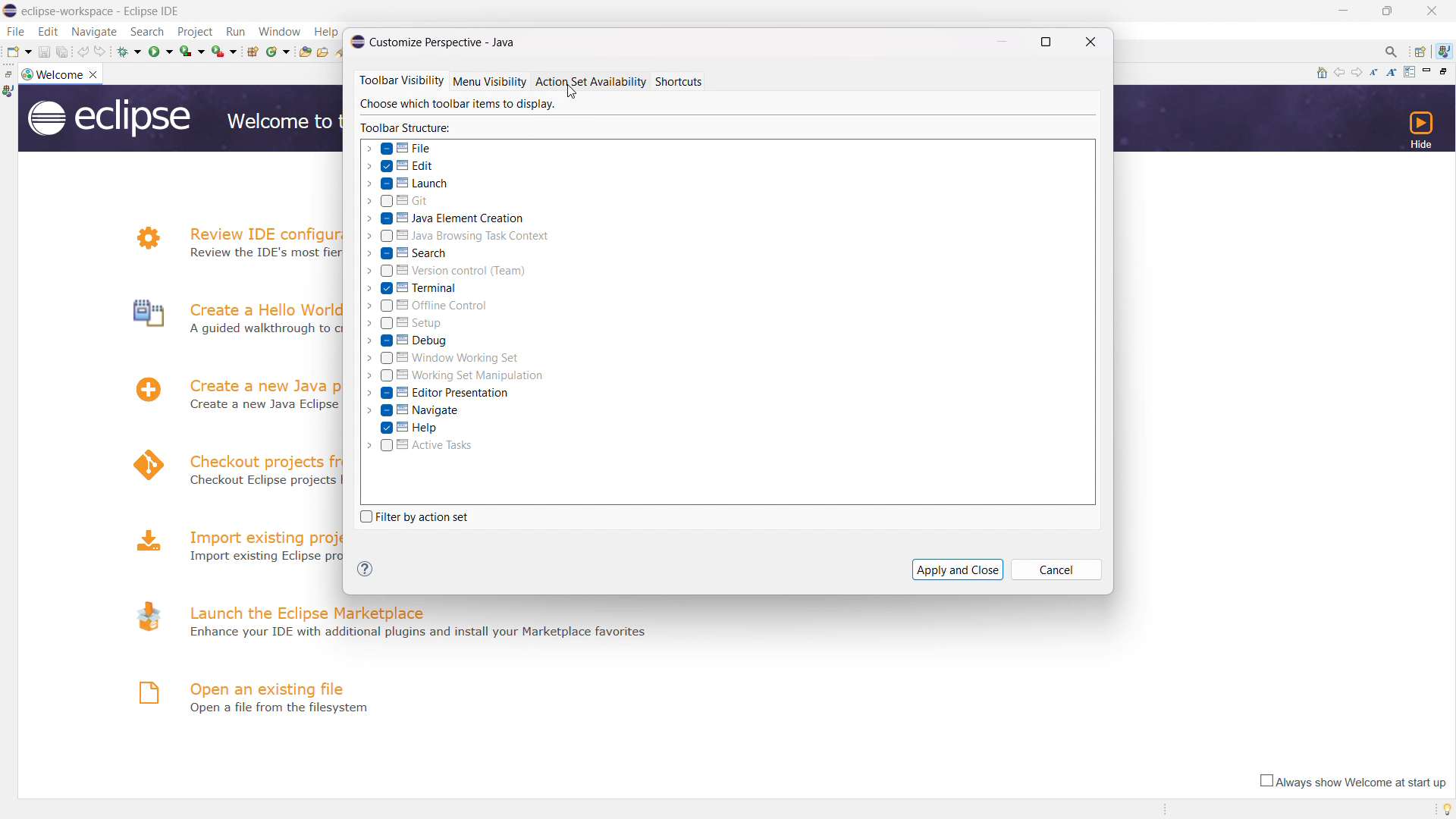 This screenshot has height=819, width=1456. What do you see at coordinates (491, 82) in the screenshot?
I see `menu visibility` at bounding box center [491, 82].